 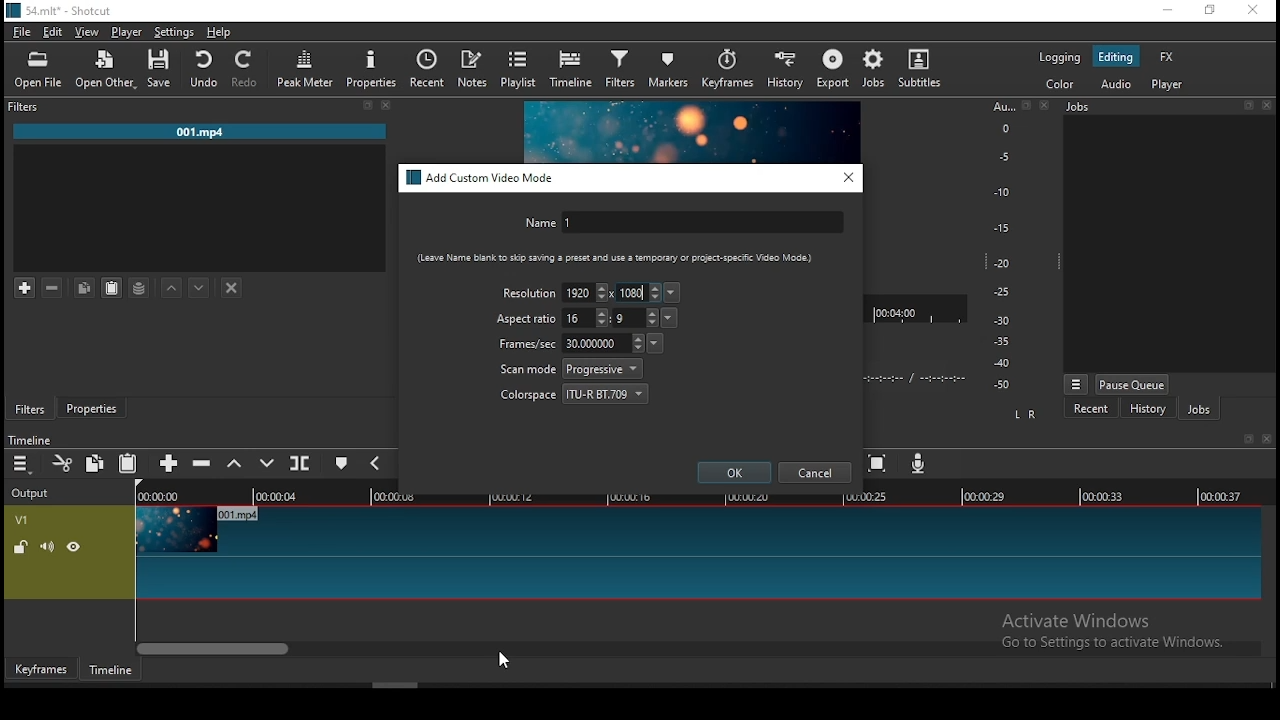 I want to click on minimize, so click(x=1167, y=11).